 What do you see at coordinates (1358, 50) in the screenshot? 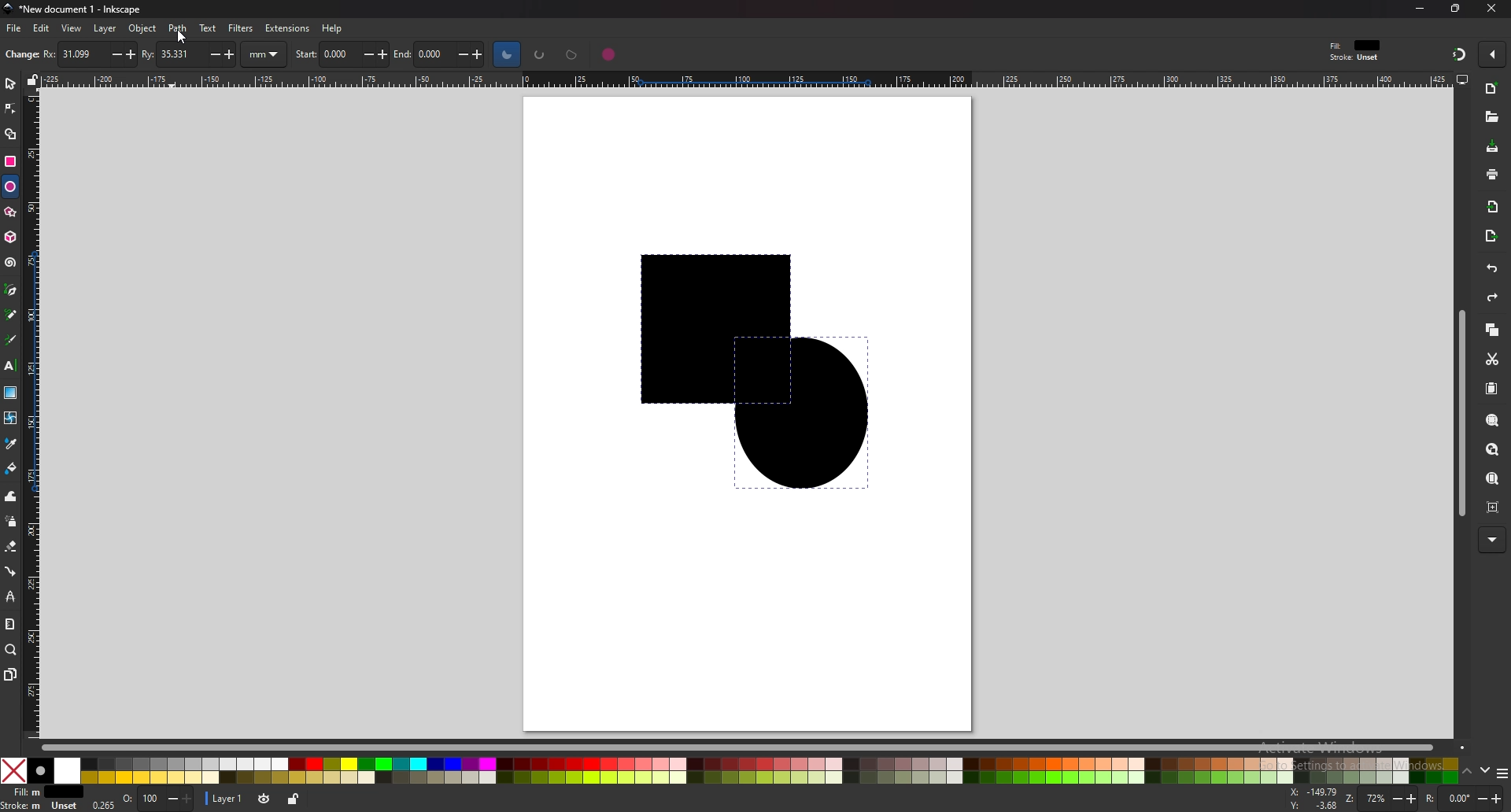
I see `style` at bounding box center [1358, 50].